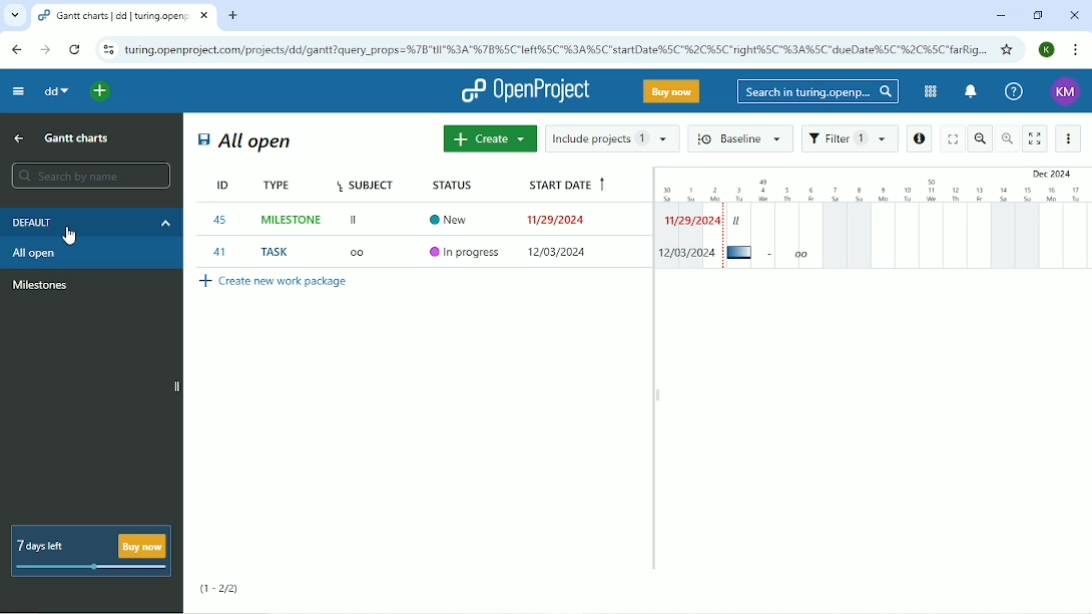 This screenshot has width=1092, height=614. What do you see at coordinates (92, 176) in the screenshot?
I see `Search by name` at bounding box center [92, 176].